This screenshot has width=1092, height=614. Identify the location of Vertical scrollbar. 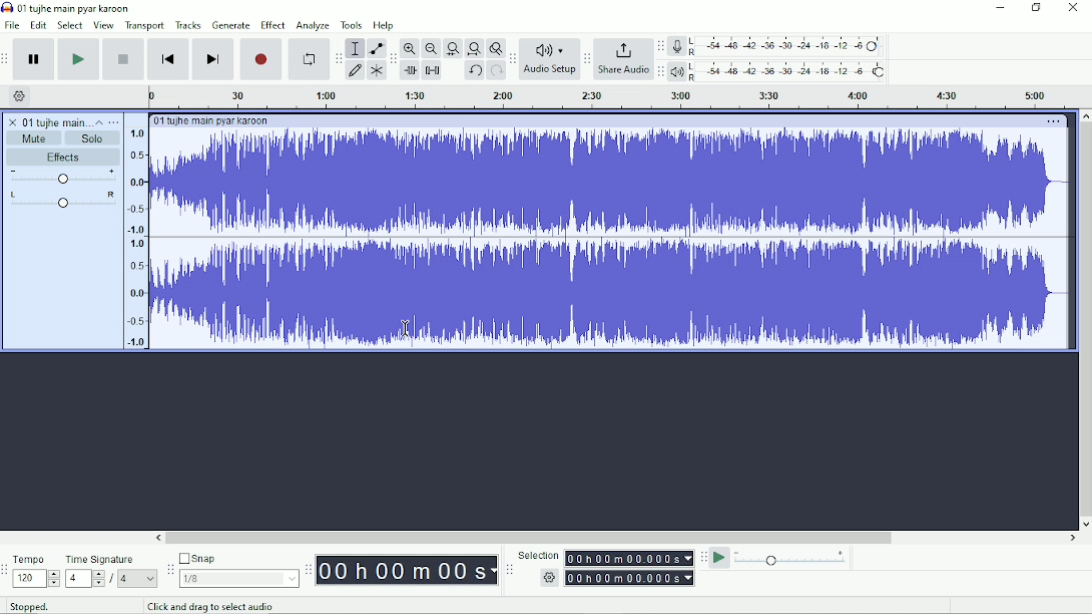
(1084, 320).